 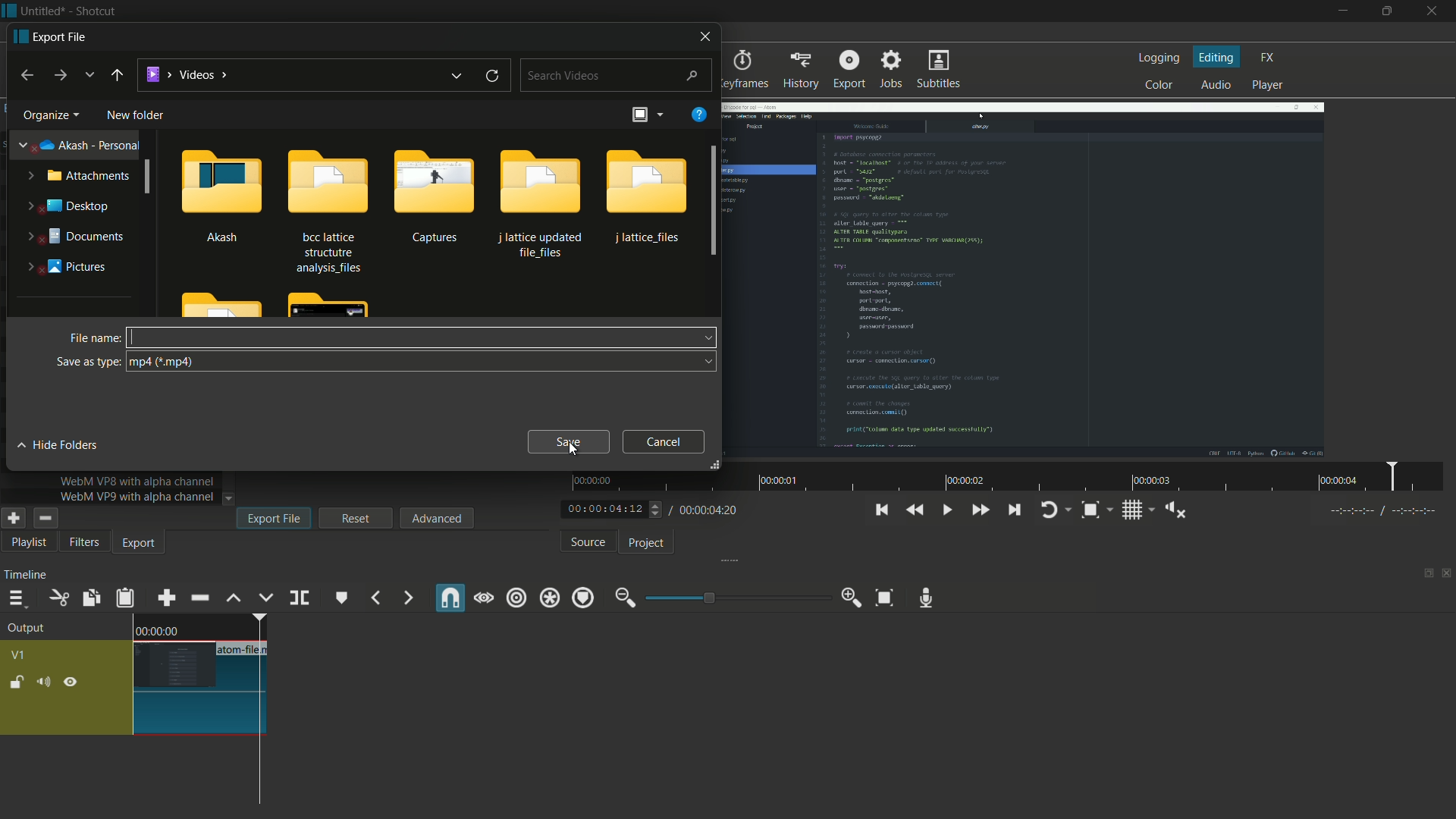 I want to click on filters, so click(x=84, y=543).